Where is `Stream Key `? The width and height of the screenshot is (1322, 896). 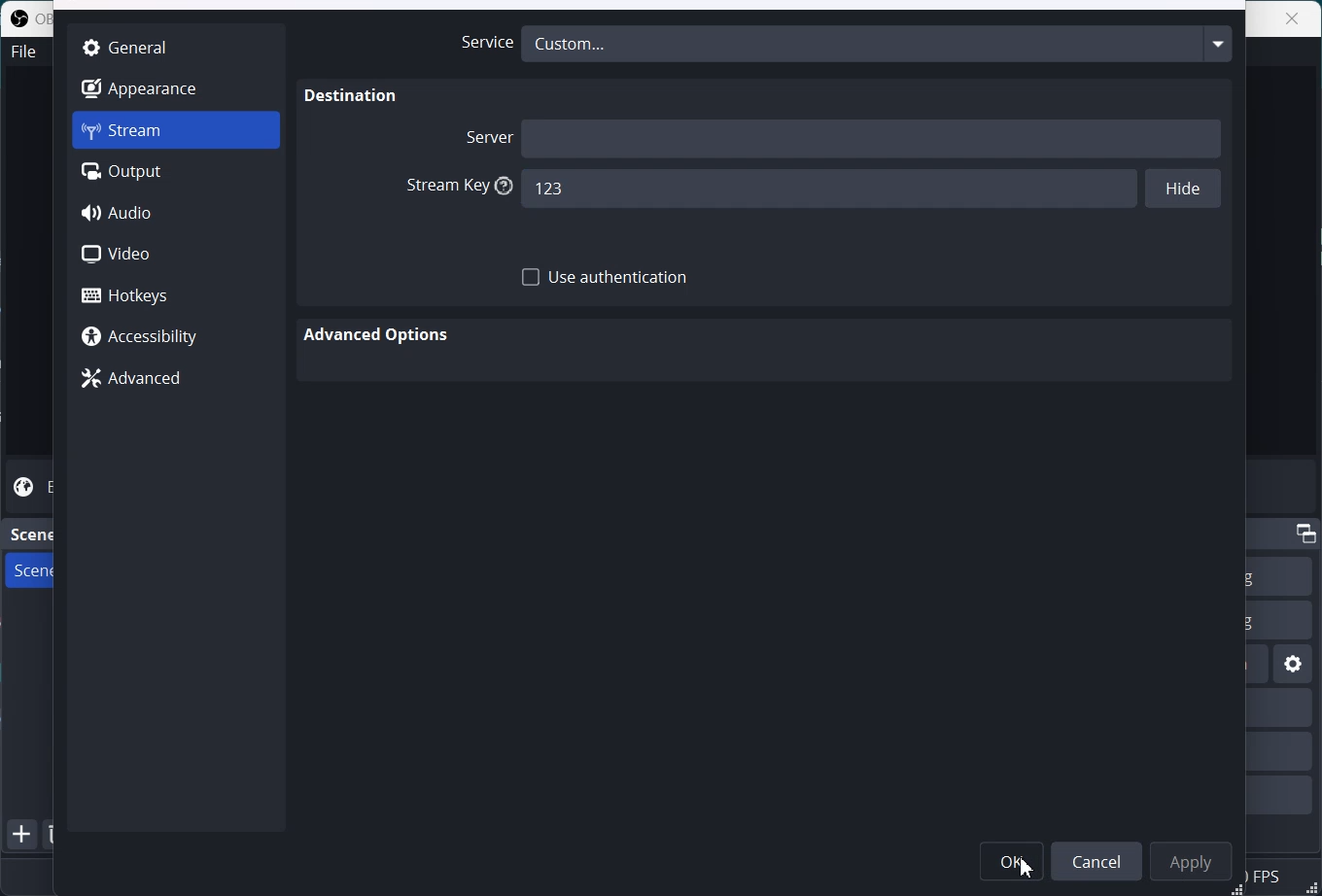 Stream Key  is located at coordinates (454, 187).